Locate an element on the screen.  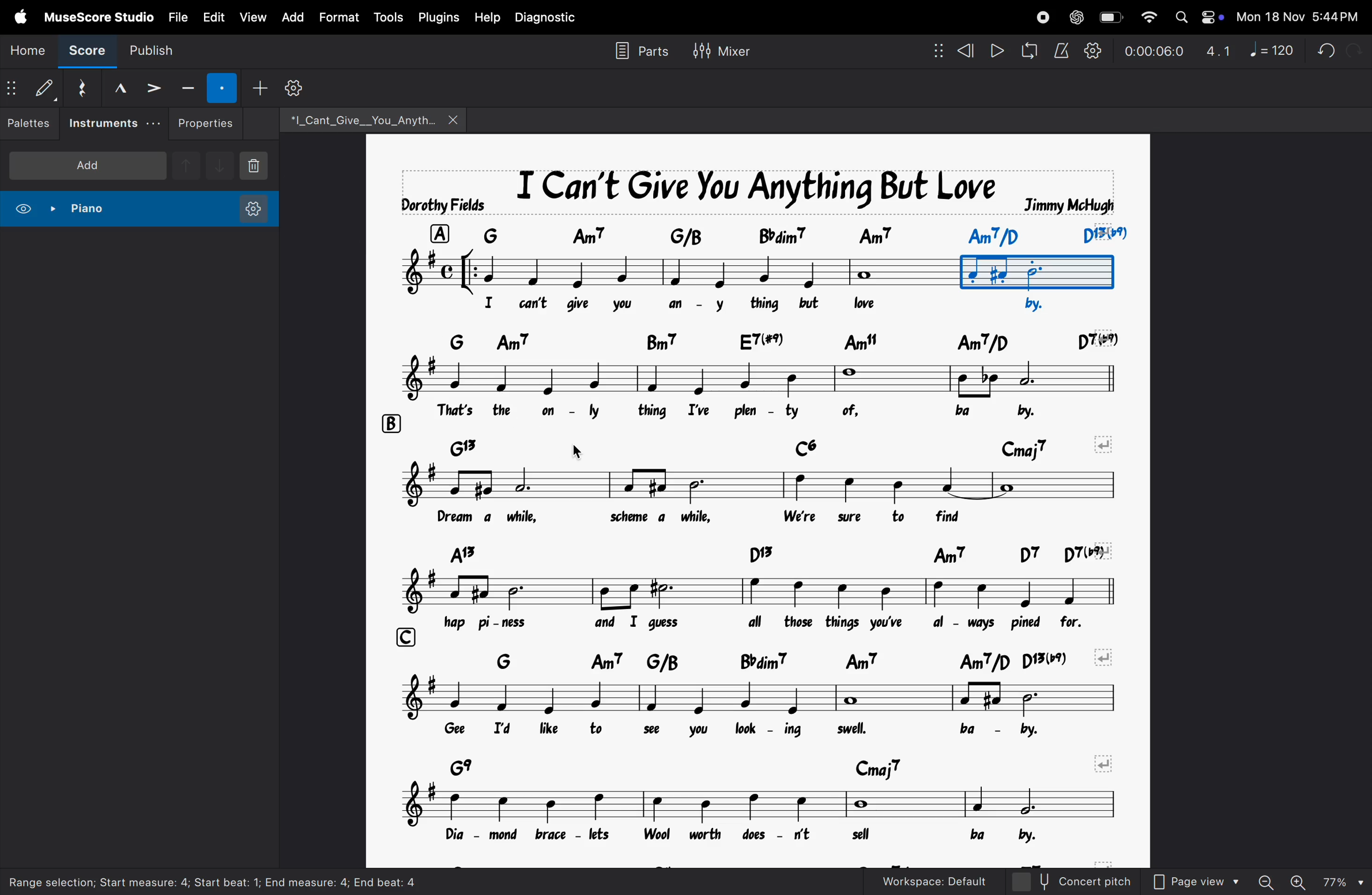
4.1 is located at coordinates (1219, 52).